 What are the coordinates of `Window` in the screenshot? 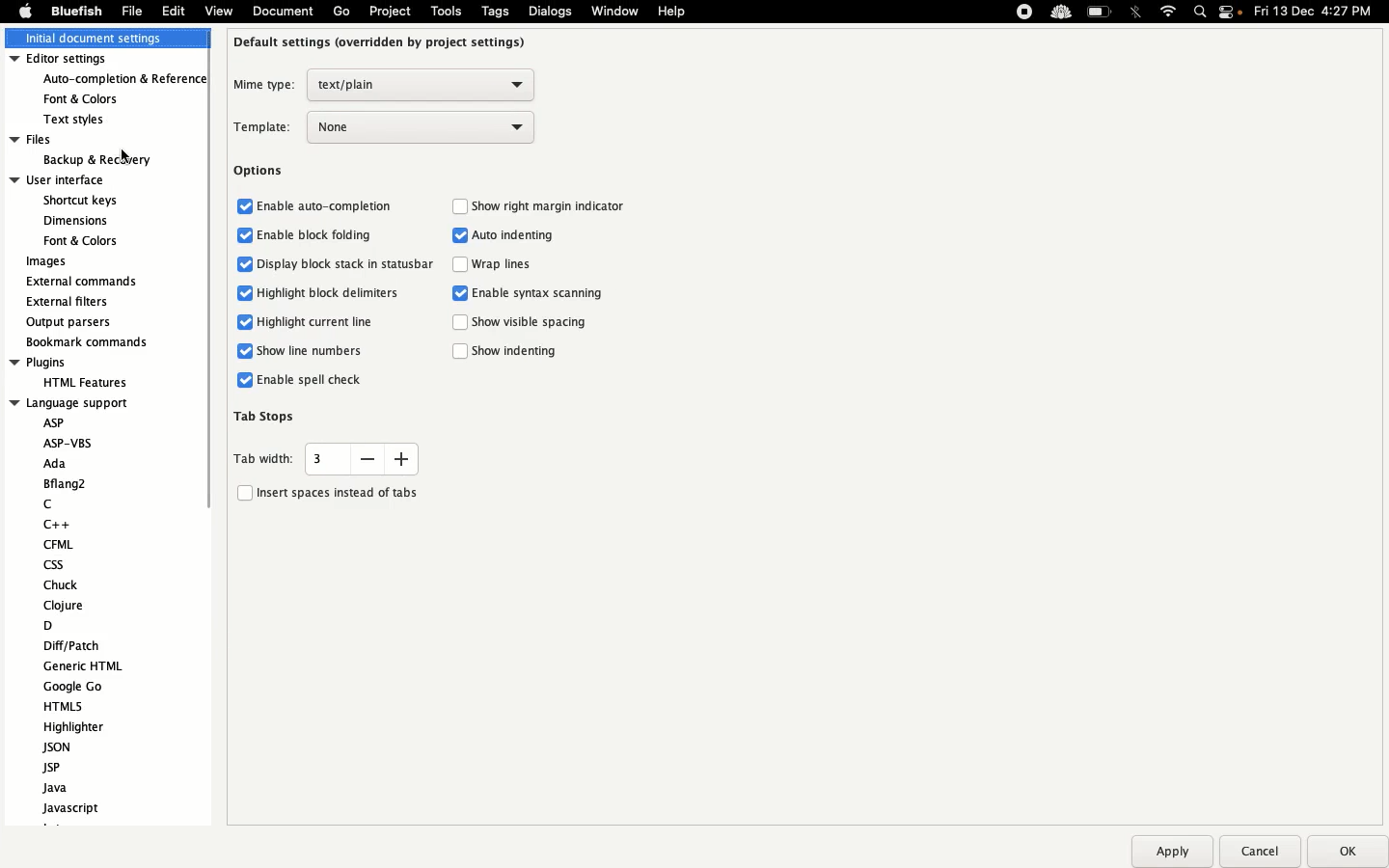 It's located at (613, 11).